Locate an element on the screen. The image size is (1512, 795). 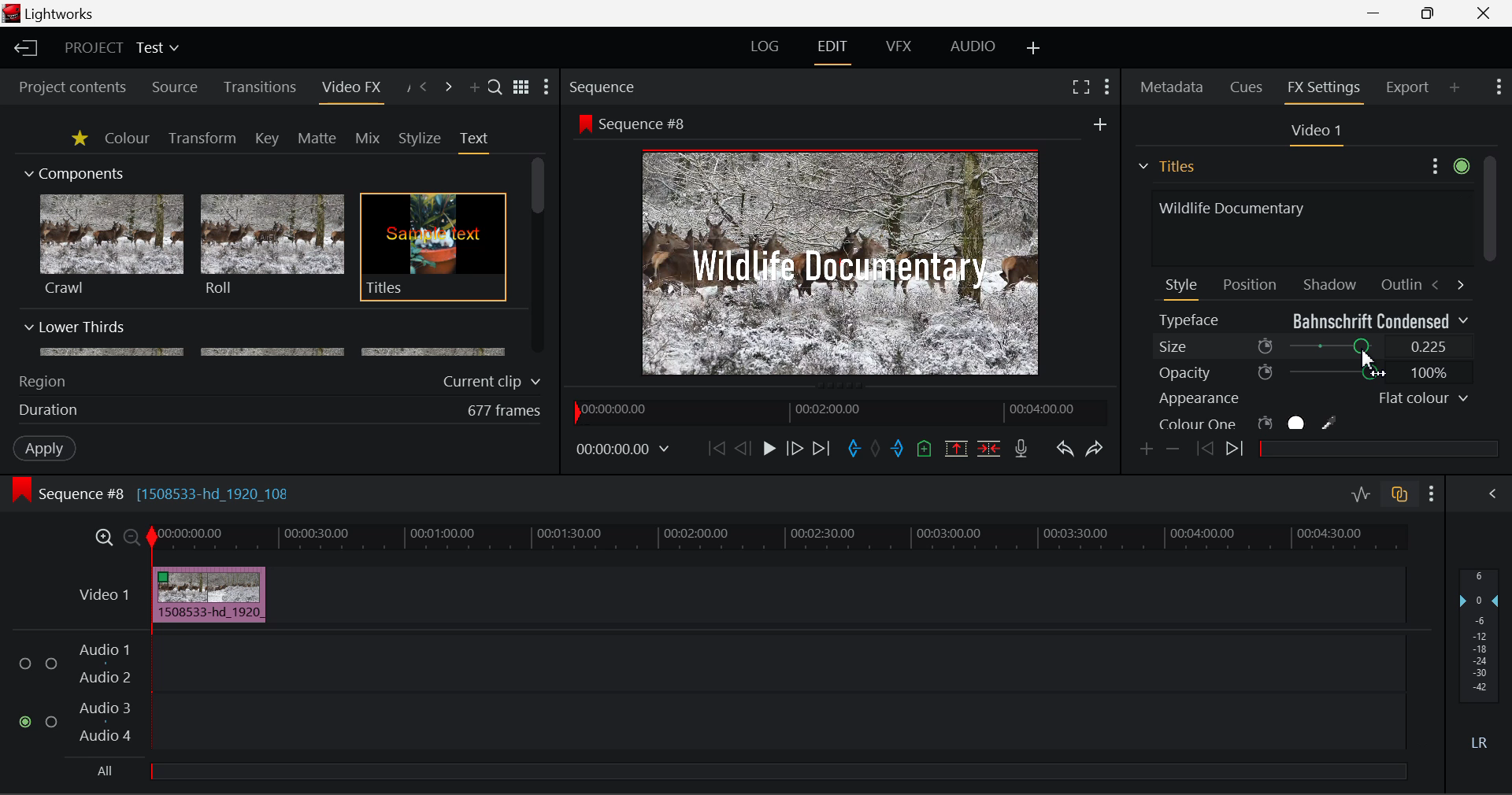
Show Audio Mix is located at coordinates (1490, 494).